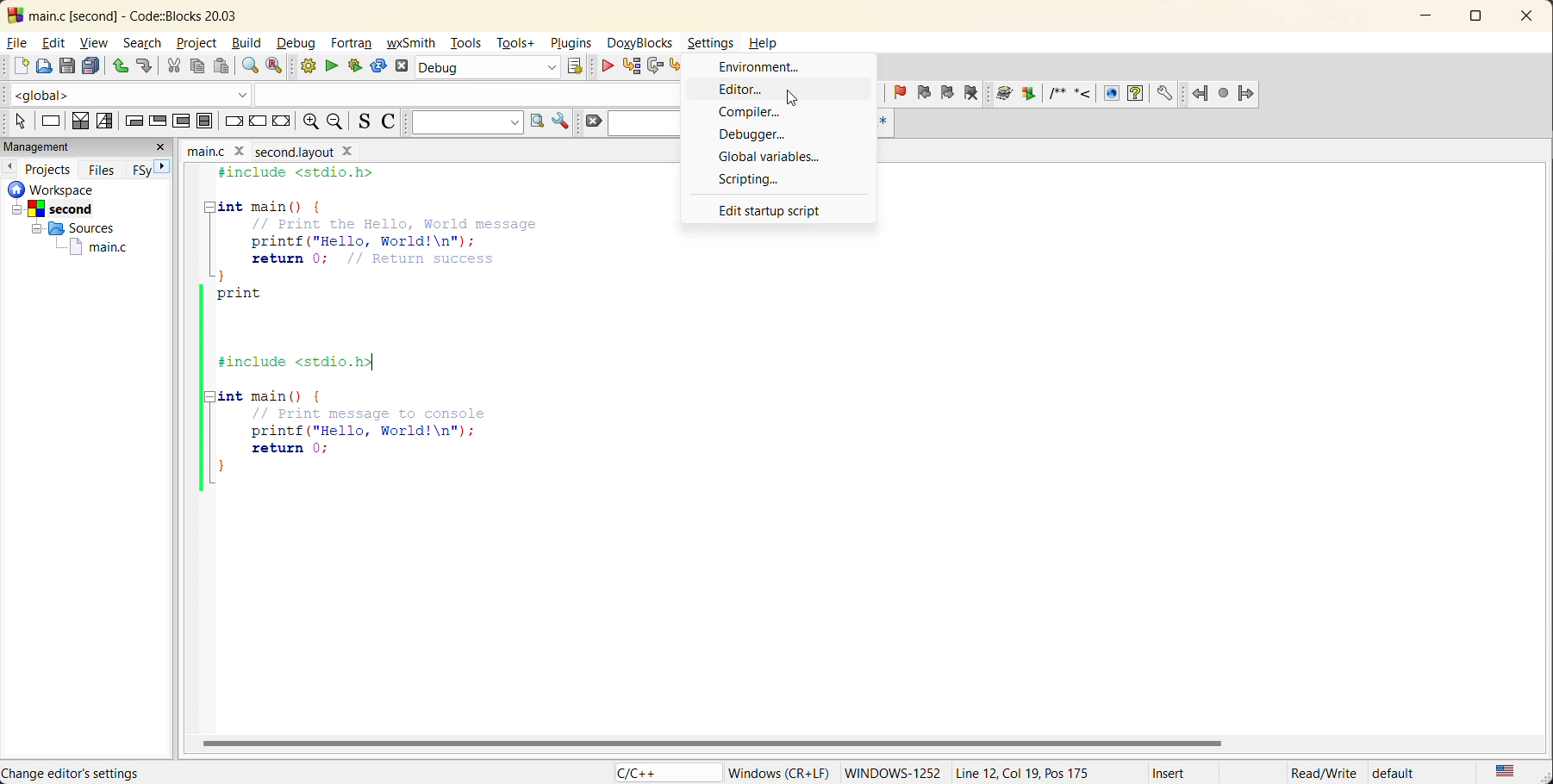 The width and height of the screenshot is (1553, 784). I want to click on previous, so click(9, 168).